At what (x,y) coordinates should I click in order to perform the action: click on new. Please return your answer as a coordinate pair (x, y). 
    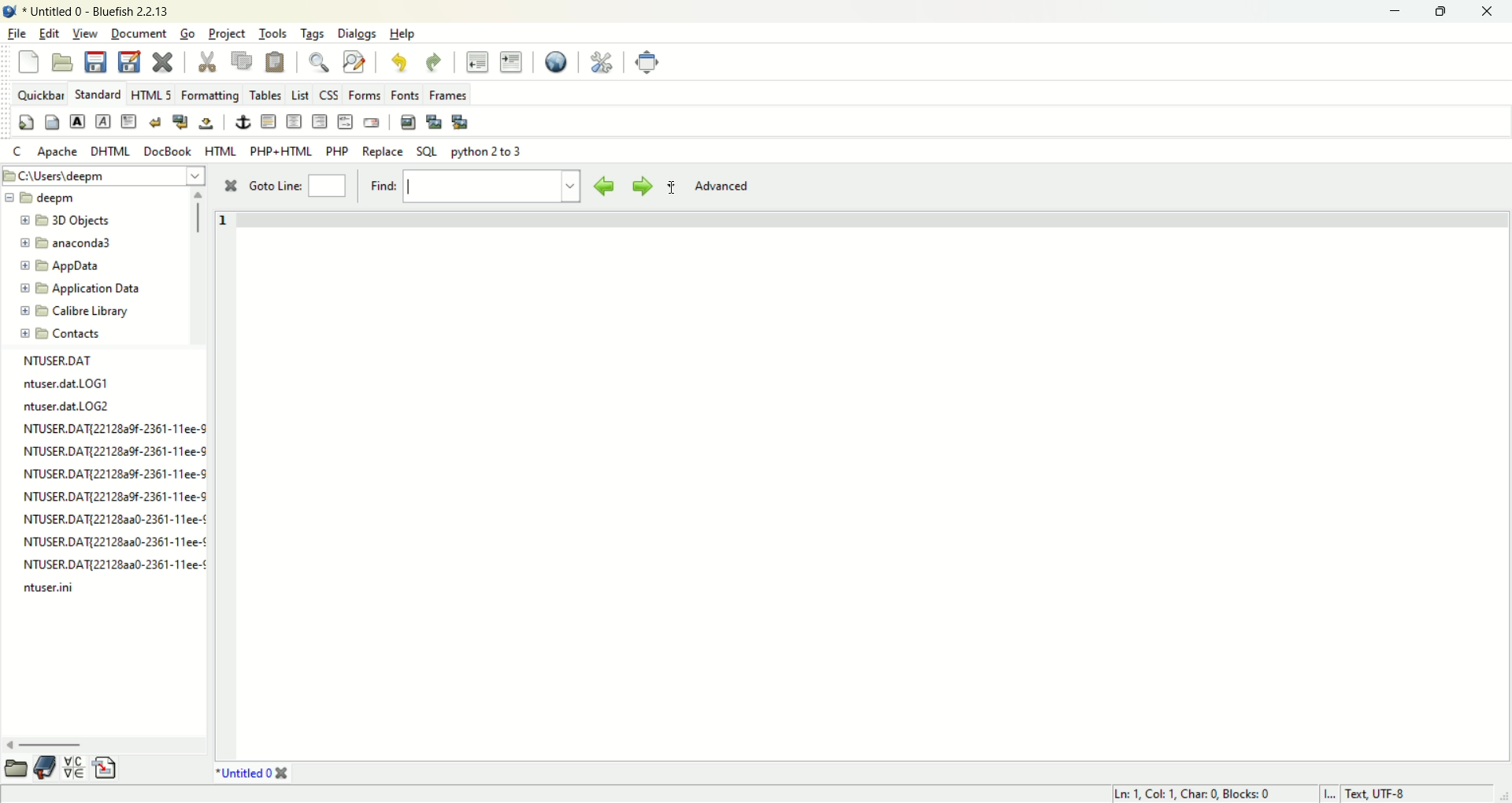
    Looking at the image, I should click on (31, 65).